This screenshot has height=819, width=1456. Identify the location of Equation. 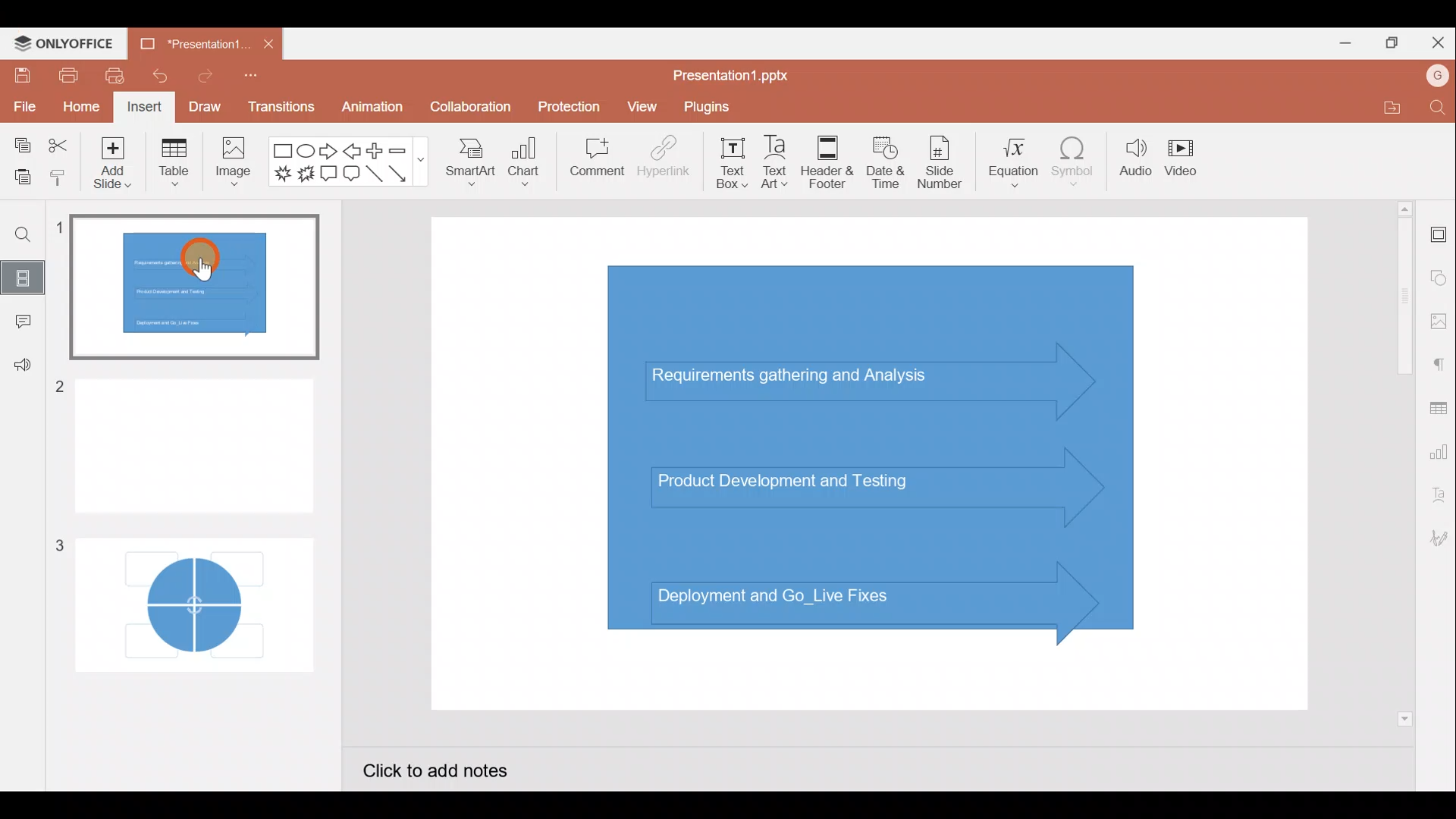
(1009, 163).